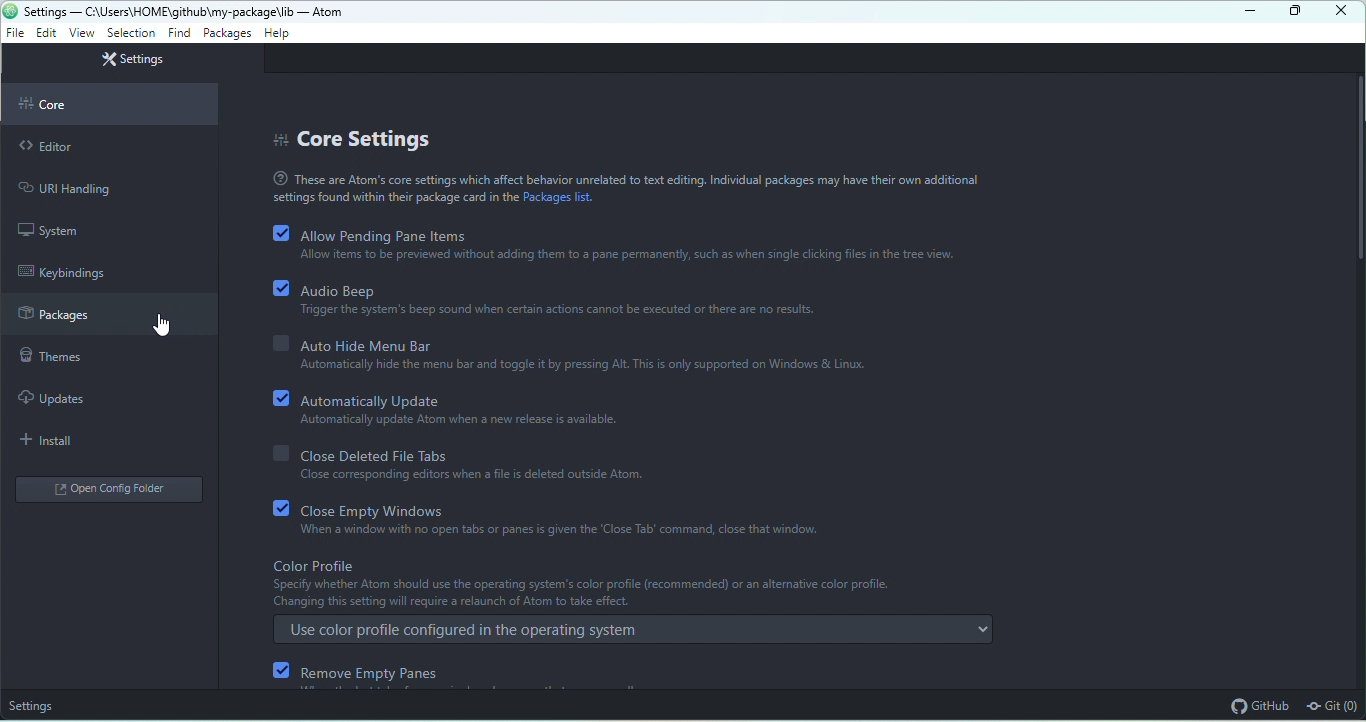 The image size is (1366, 722). What do you see at coordinates (617, 178) in the screenshot?
I see `(3 These are Atom's core settings which affect behavior unrelated to text editing. Individual packages may have their own additional` at bounding box center [617, 178].